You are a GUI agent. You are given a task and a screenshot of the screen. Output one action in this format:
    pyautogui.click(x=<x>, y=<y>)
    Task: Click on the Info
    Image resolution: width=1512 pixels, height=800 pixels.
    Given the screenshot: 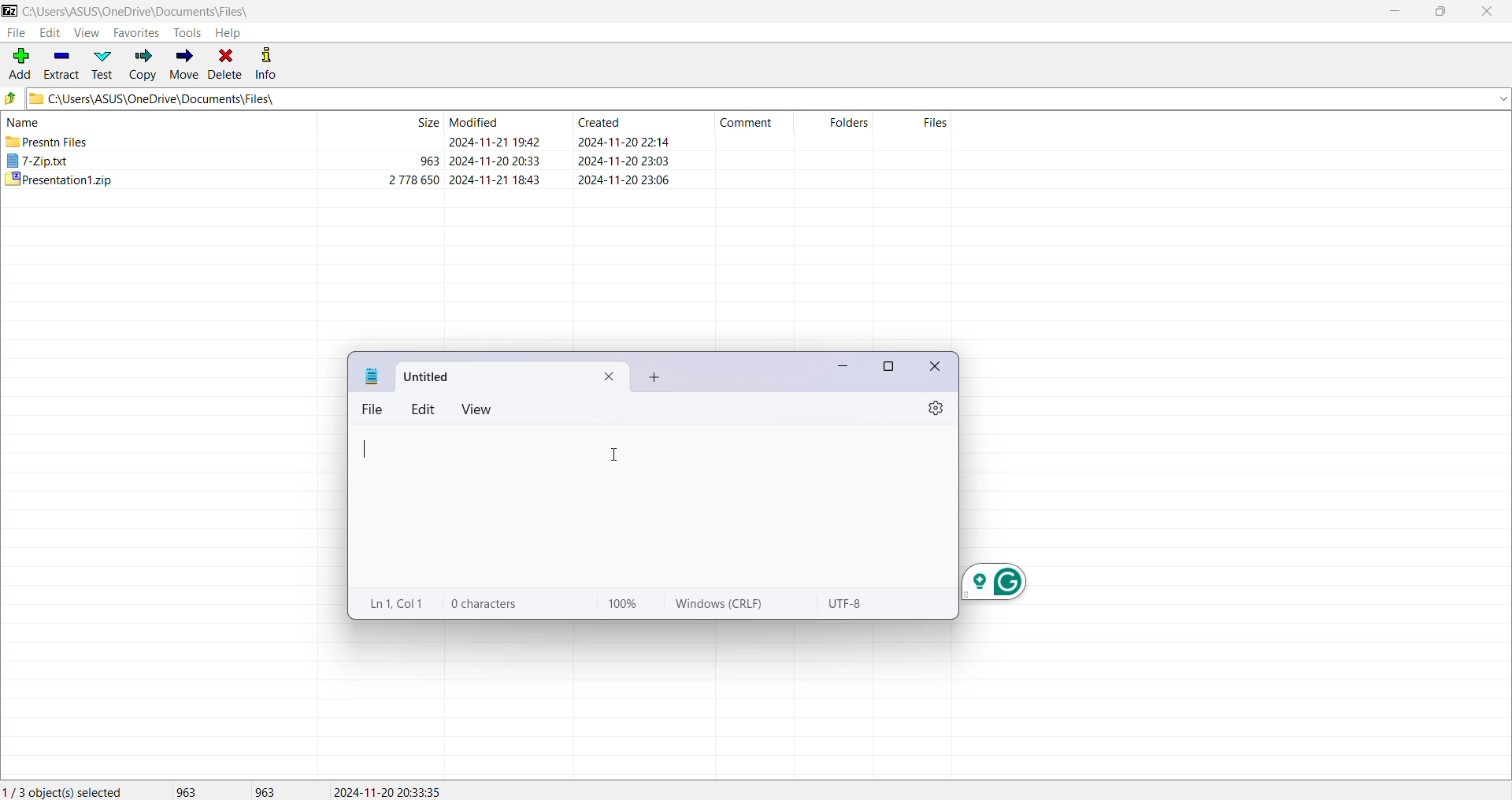 What is the action you would take?
    pyautogui.click(x=272, y=64)
    